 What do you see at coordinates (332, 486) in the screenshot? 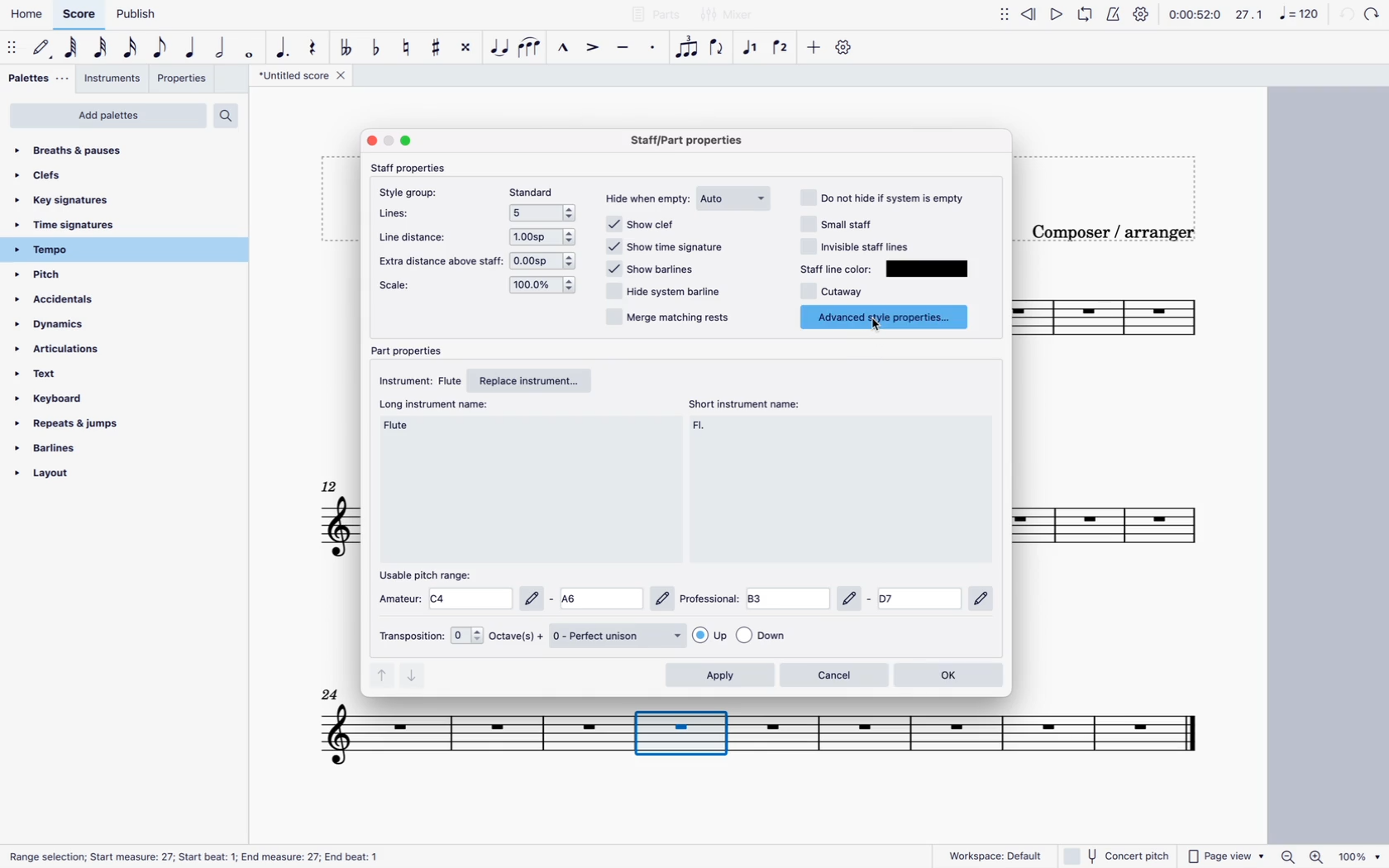
I see `12` at bounding box center [332, 486].